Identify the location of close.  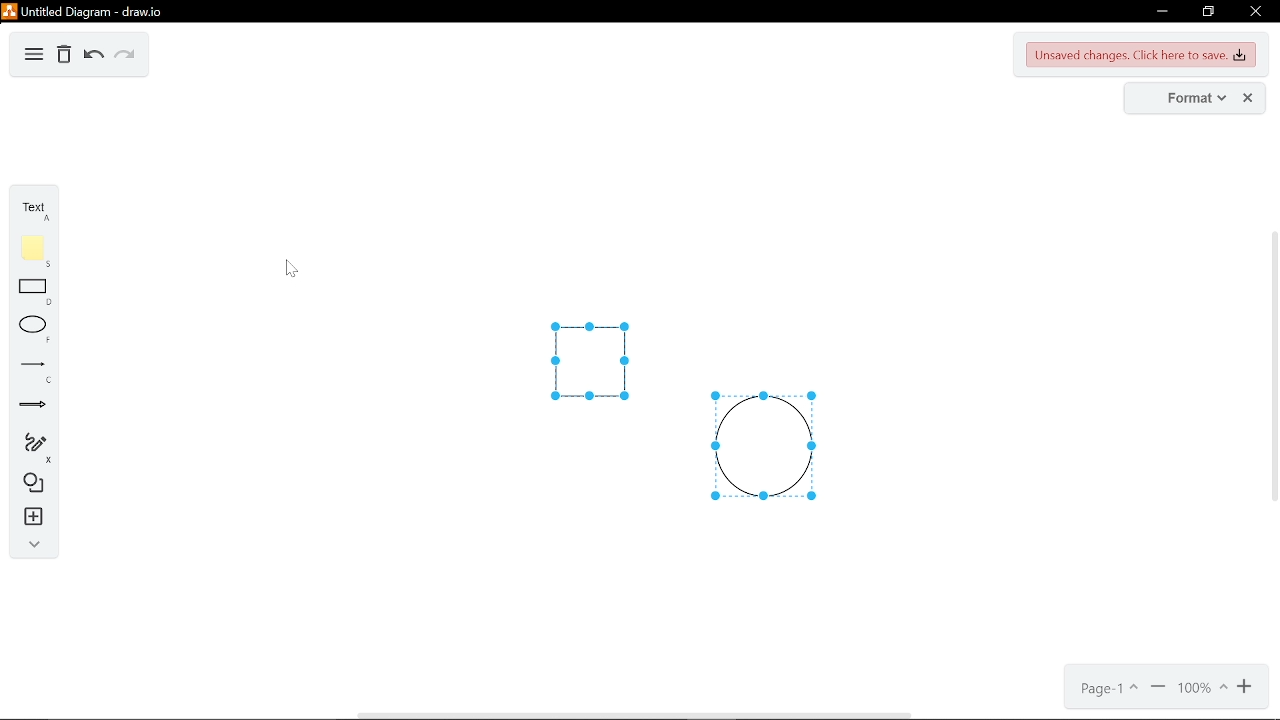
(1256, 11).